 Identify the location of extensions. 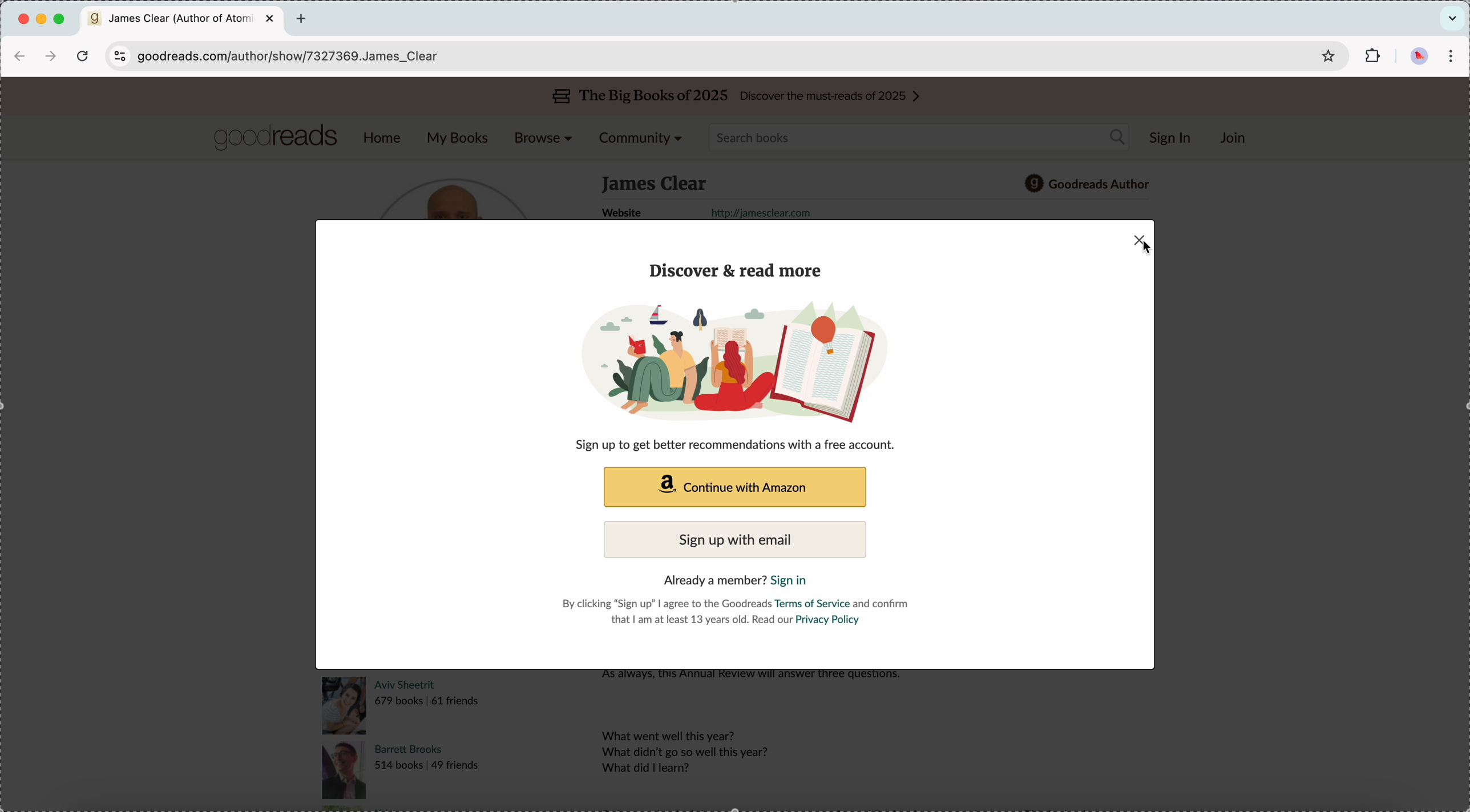
(1374, 56).